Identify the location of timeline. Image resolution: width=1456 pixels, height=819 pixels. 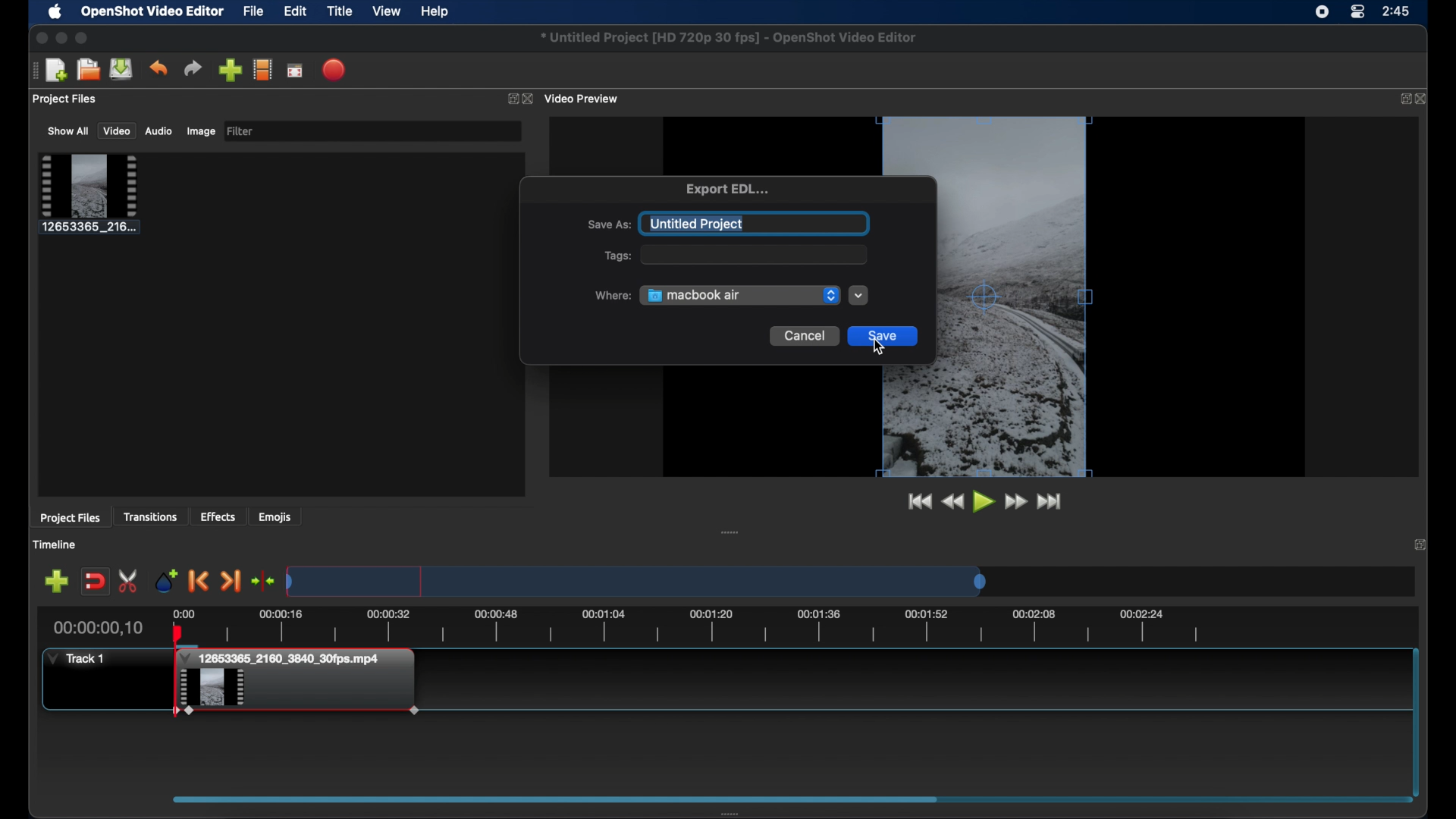
(58, 544).